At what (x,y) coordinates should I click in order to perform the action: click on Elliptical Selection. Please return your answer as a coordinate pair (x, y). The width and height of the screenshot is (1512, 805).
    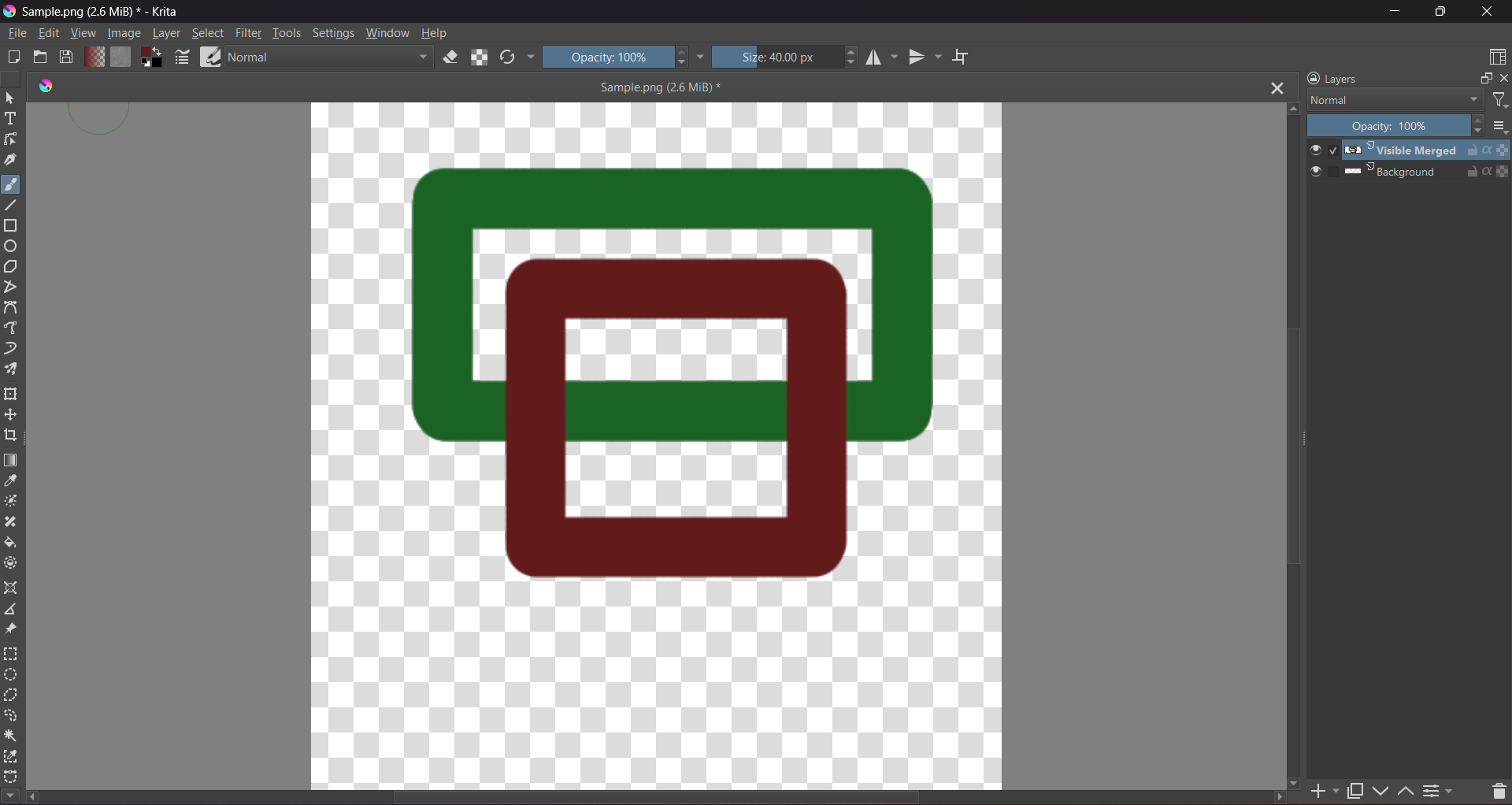
    Looking at the image, I should click on (10, 675).